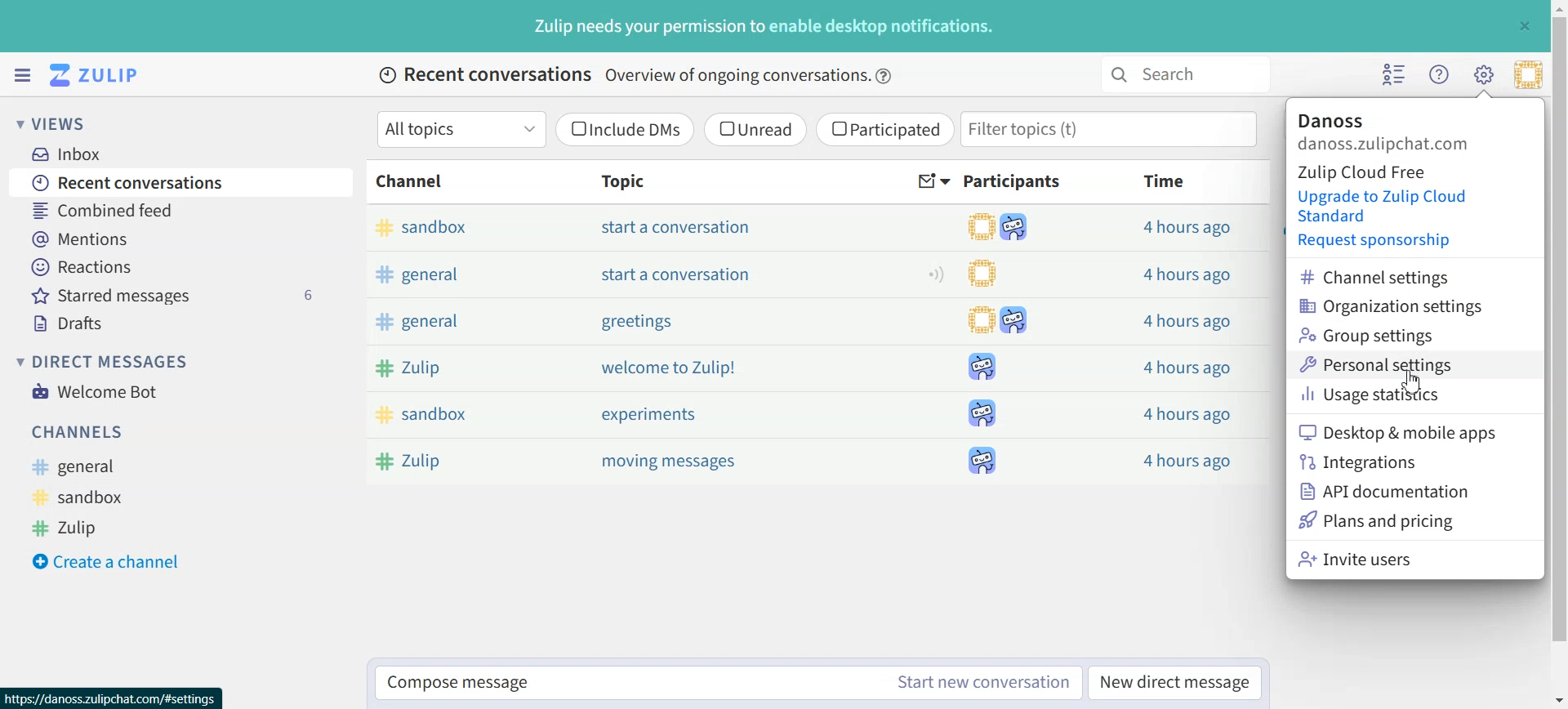 The height and width of the screenshot is (709, 1568). I want to click on Participants, so click(1015, 181).